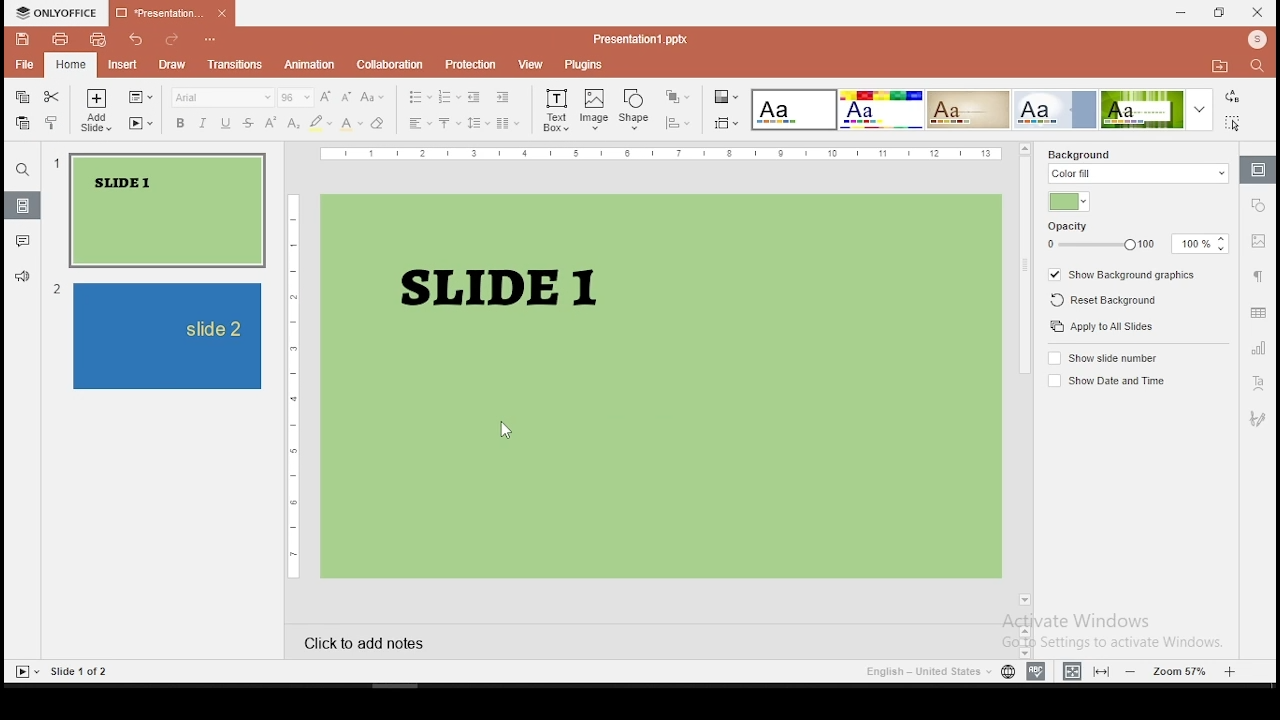  What do you see at coordinates (1142, 109) in the screenshot?
I see `select color theme` at bounding box center [1142, 109].